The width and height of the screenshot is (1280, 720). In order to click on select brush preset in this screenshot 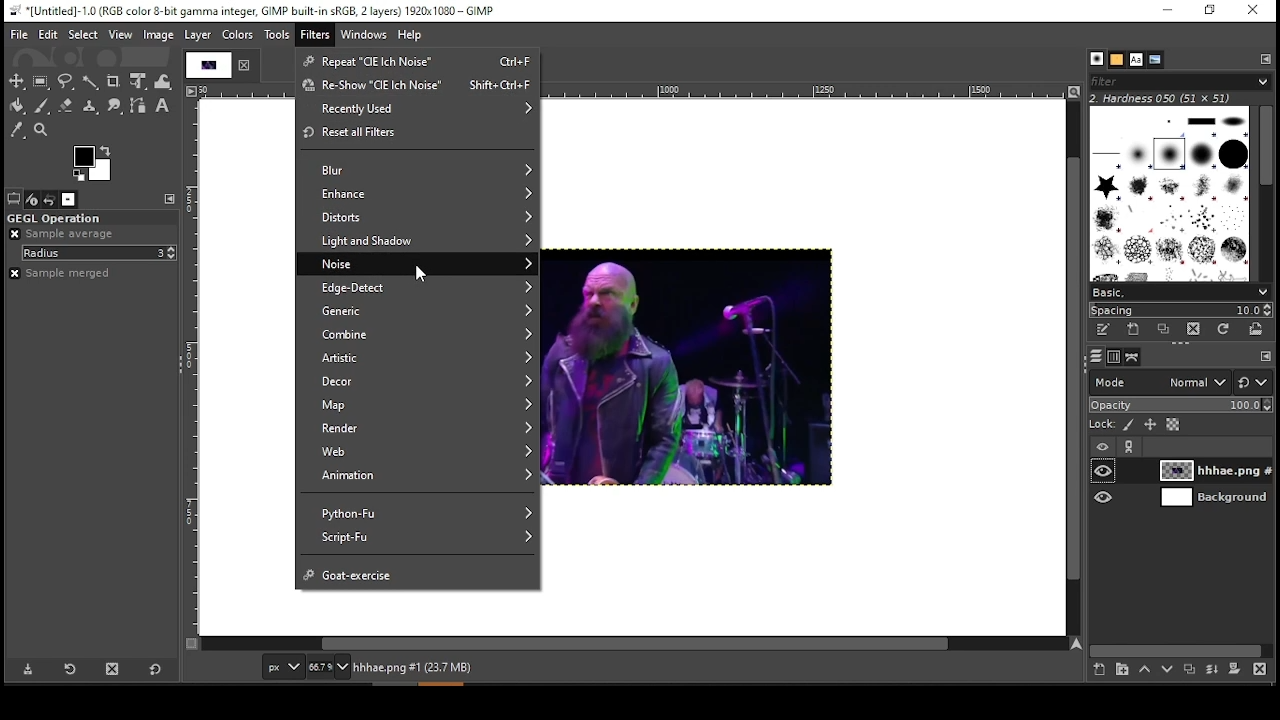, I will do `click(1183, 293)`.